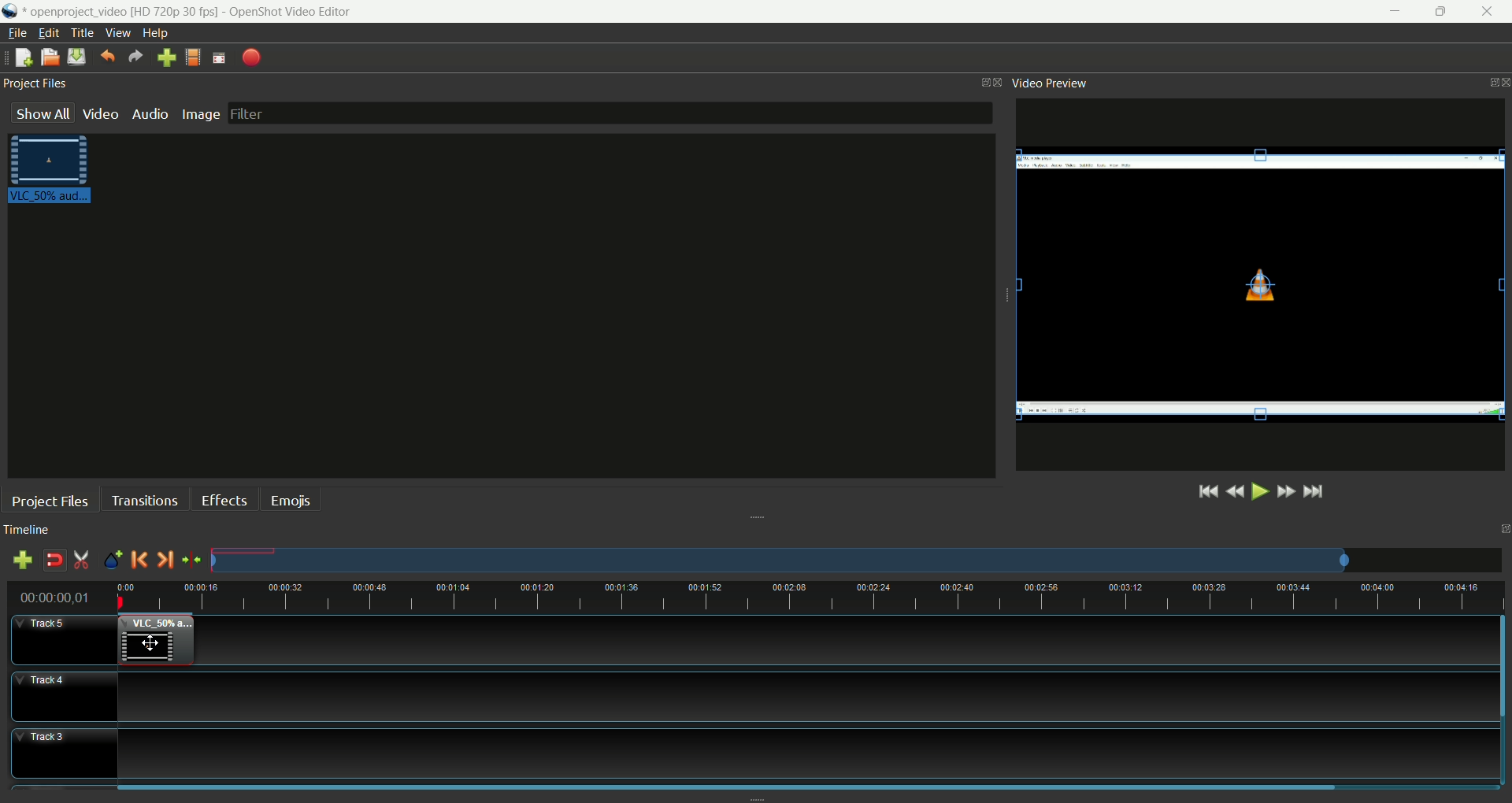 The width and height of the screenshot is (1512, 803). What do you see at coordinates (1258, 491) in the screenshot?
I see `play` at bounding box center [1258, 491].